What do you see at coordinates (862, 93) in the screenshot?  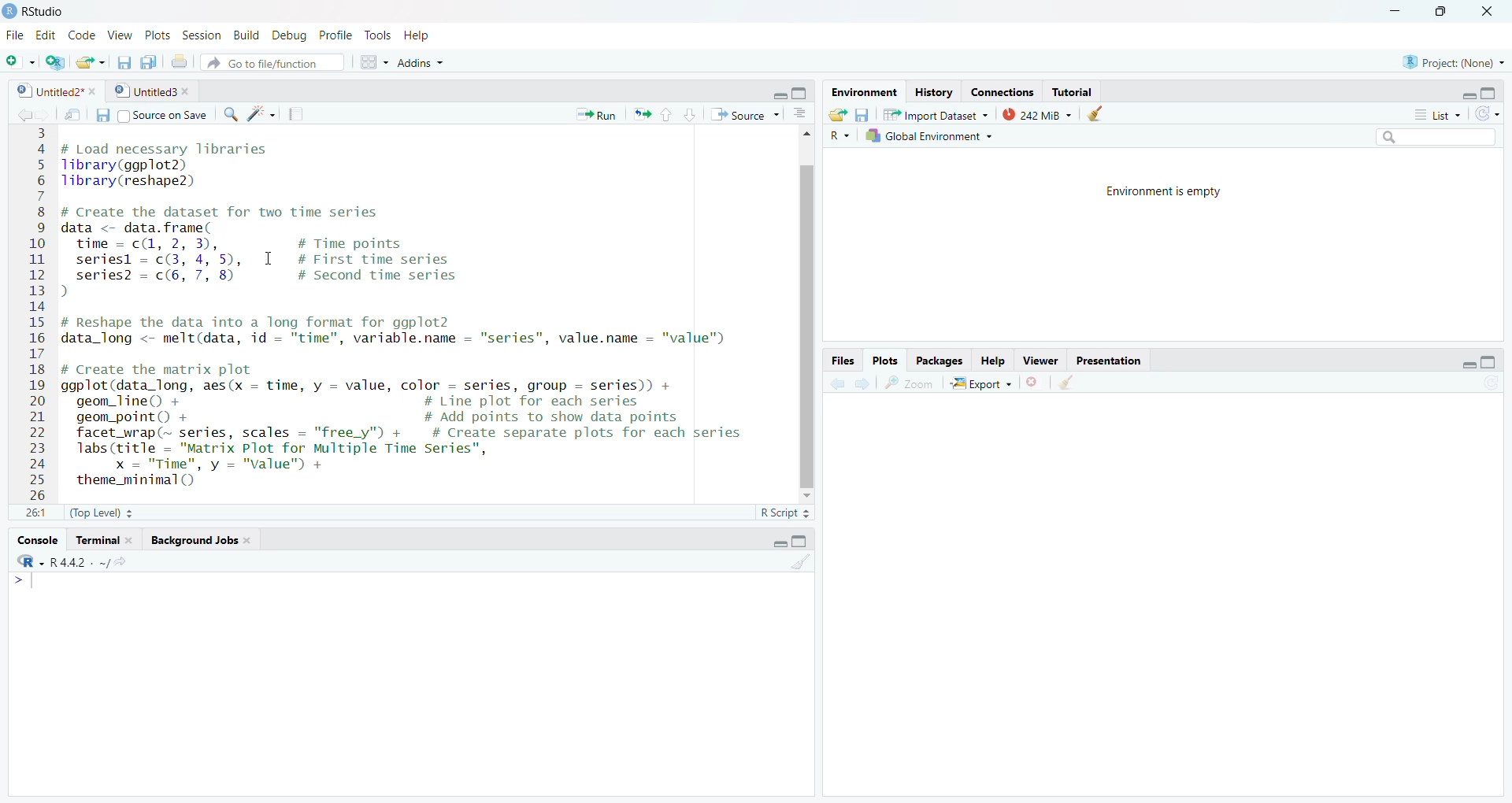 I see `Environment` at bounding box center [862, 93].